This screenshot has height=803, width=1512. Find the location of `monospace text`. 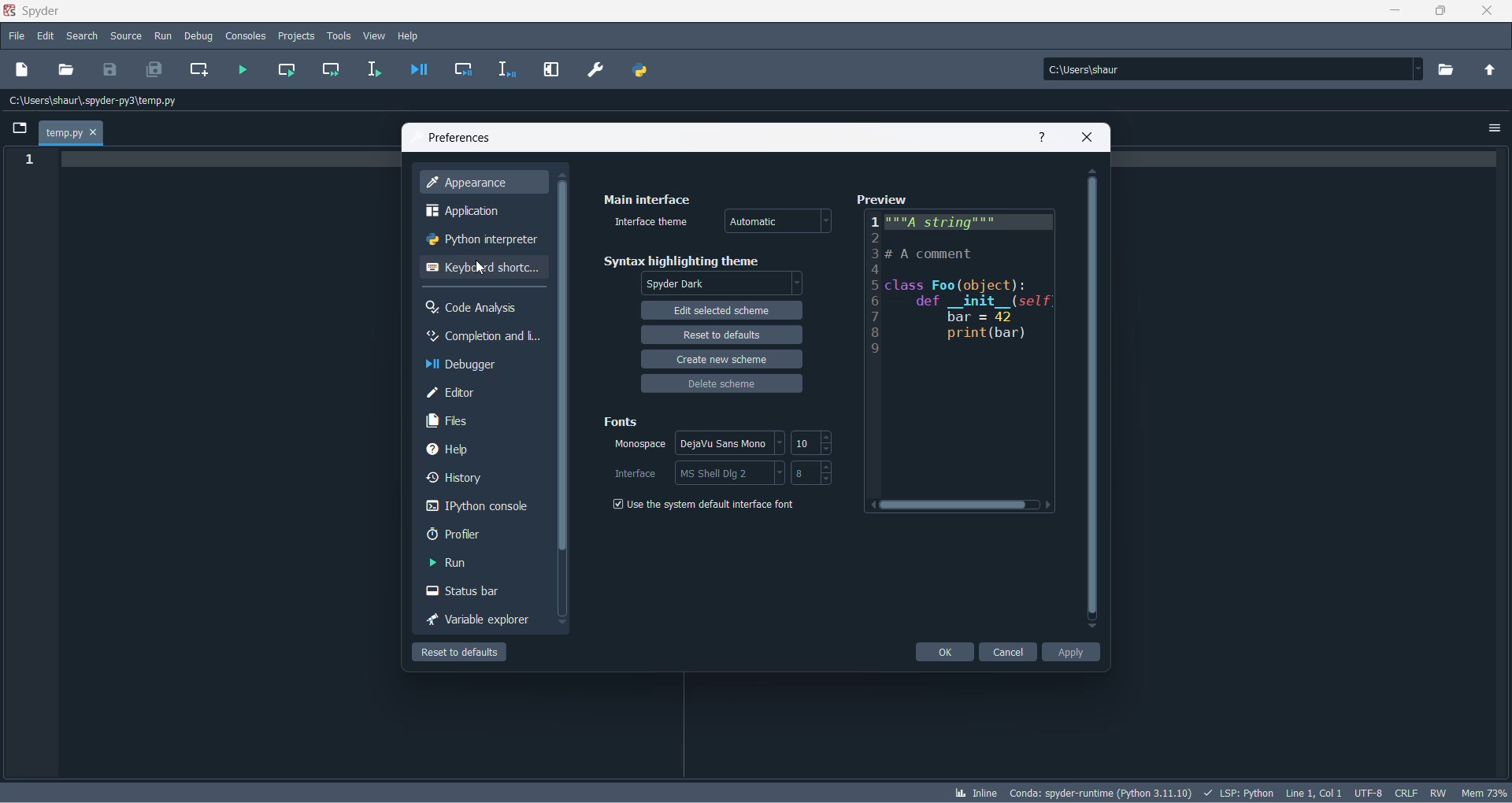

monospace text is located at coordinates (639, 446).